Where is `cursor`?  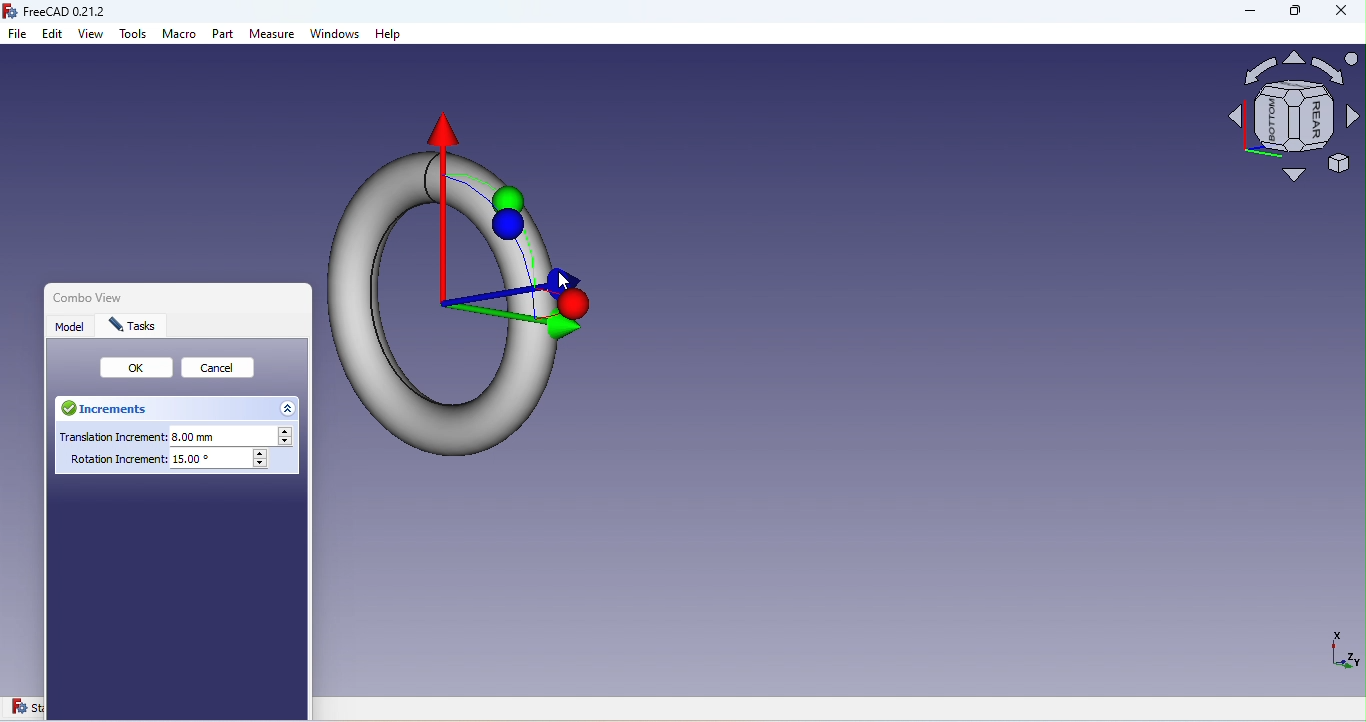
cursor is located at coordinates (567, 282).